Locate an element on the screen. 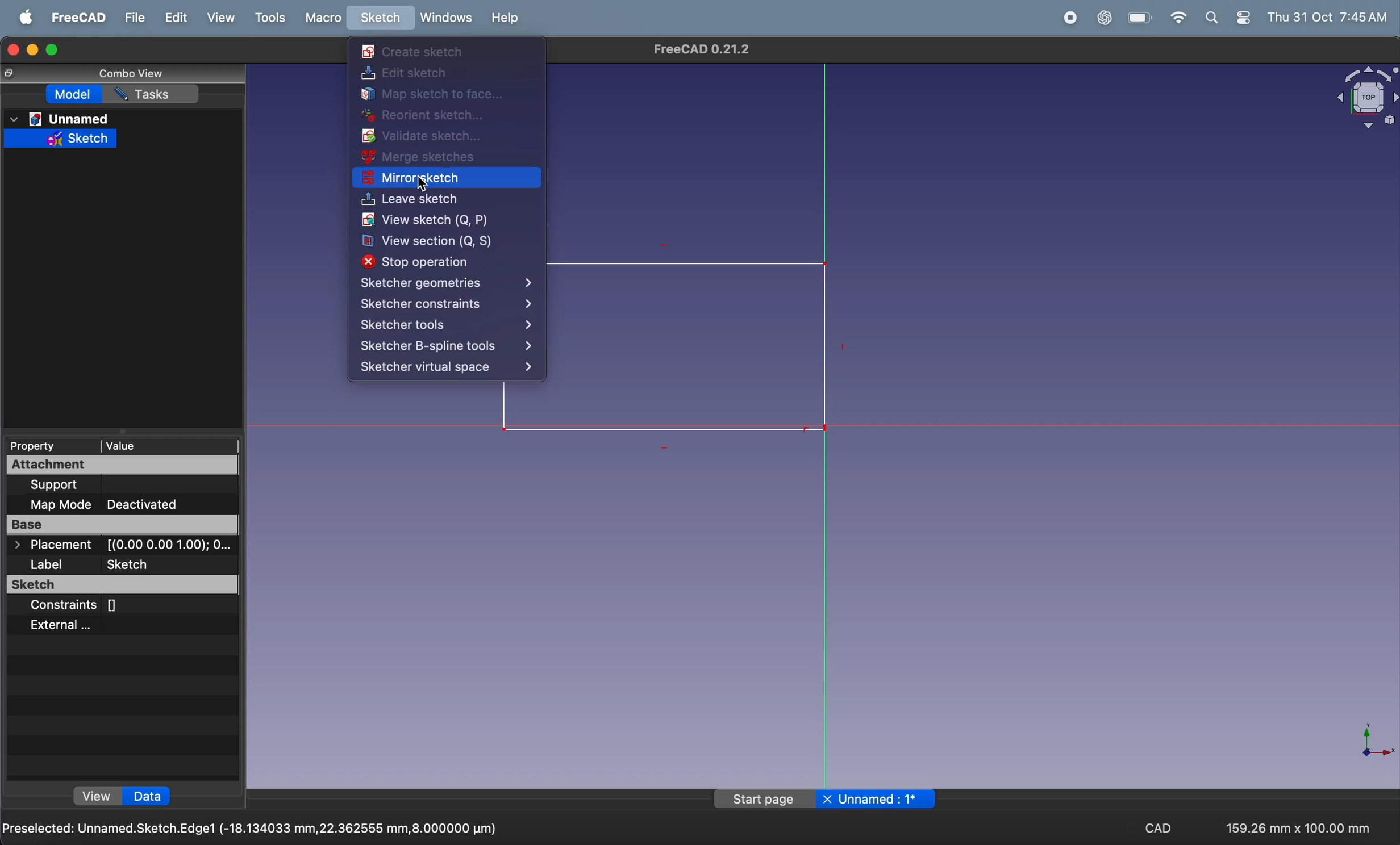 The width and height of the screenshot is (1400, 845). unnamed is located at coordinates (73, 118).